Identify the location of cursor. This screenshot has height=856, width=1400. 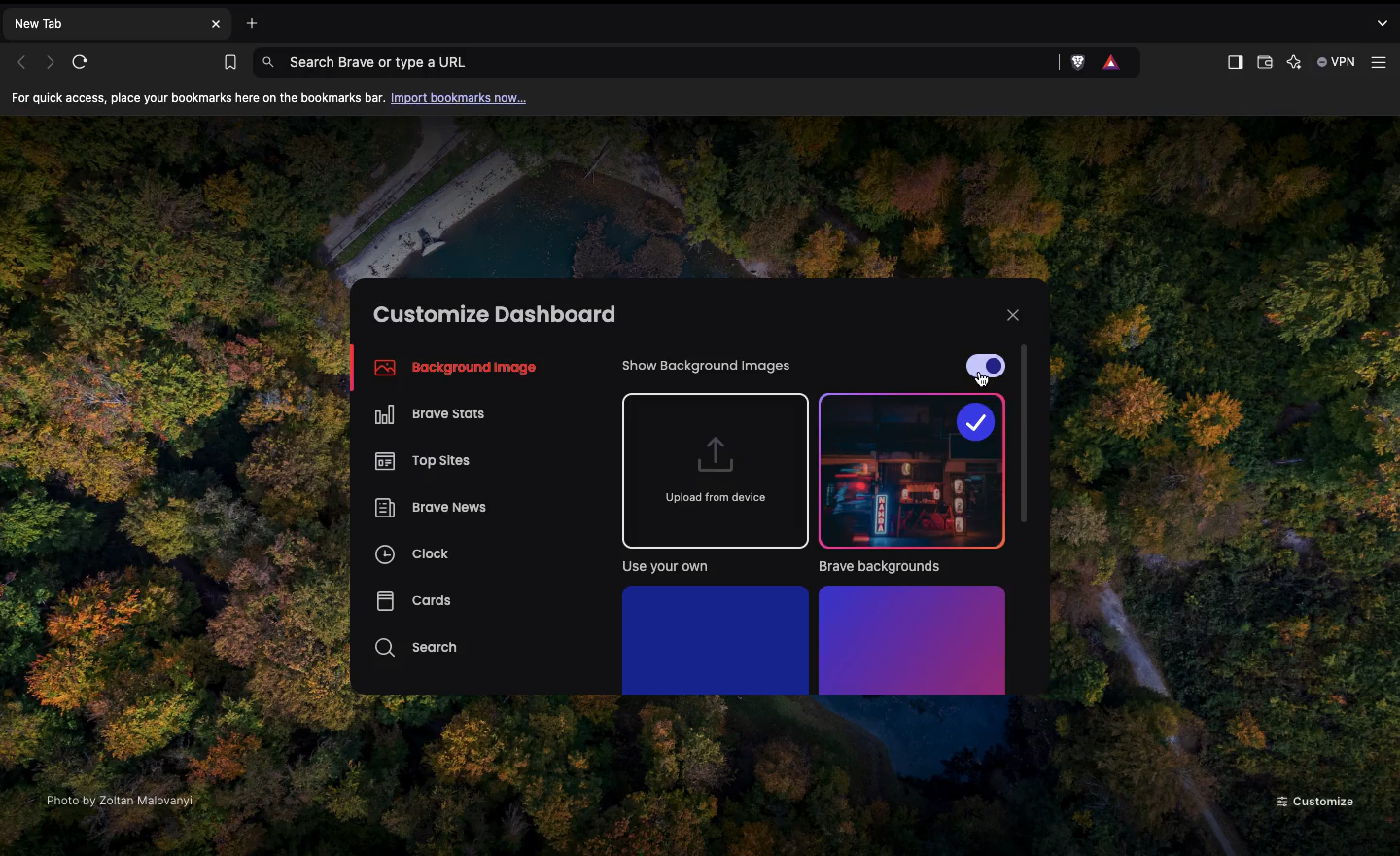
(984, 378).